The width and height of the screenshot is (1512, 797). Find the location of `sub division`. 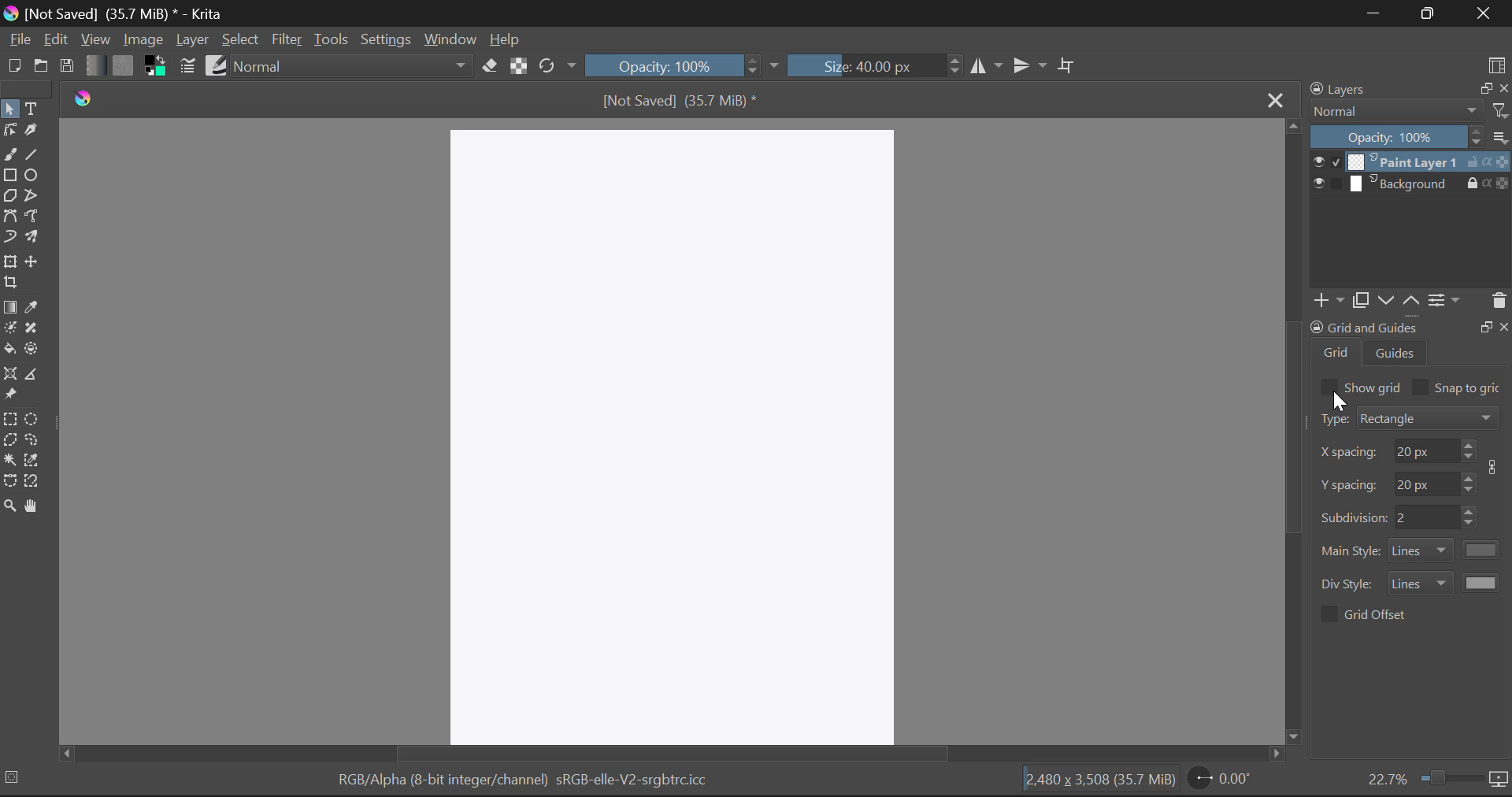

sub division is located at coordinates (1353, 516).